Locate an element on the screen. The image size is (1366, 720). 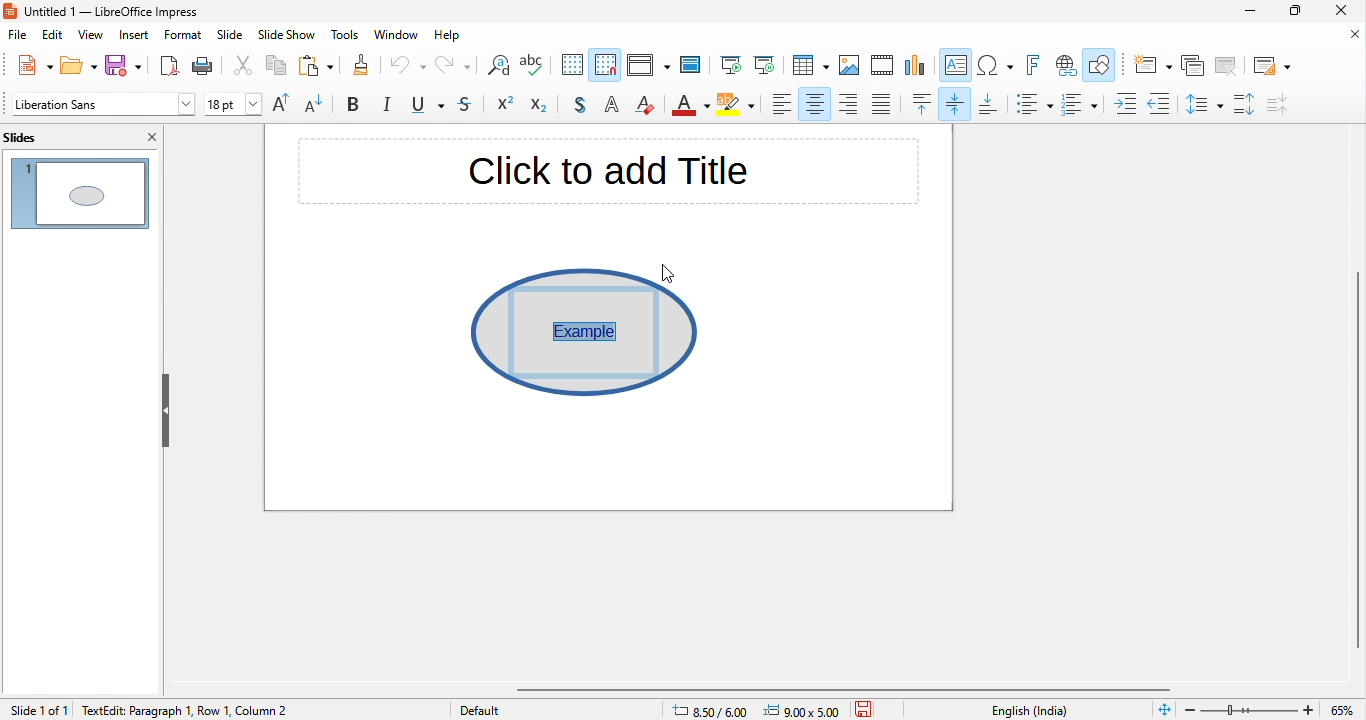
undo is located at coordinates (408, 69).